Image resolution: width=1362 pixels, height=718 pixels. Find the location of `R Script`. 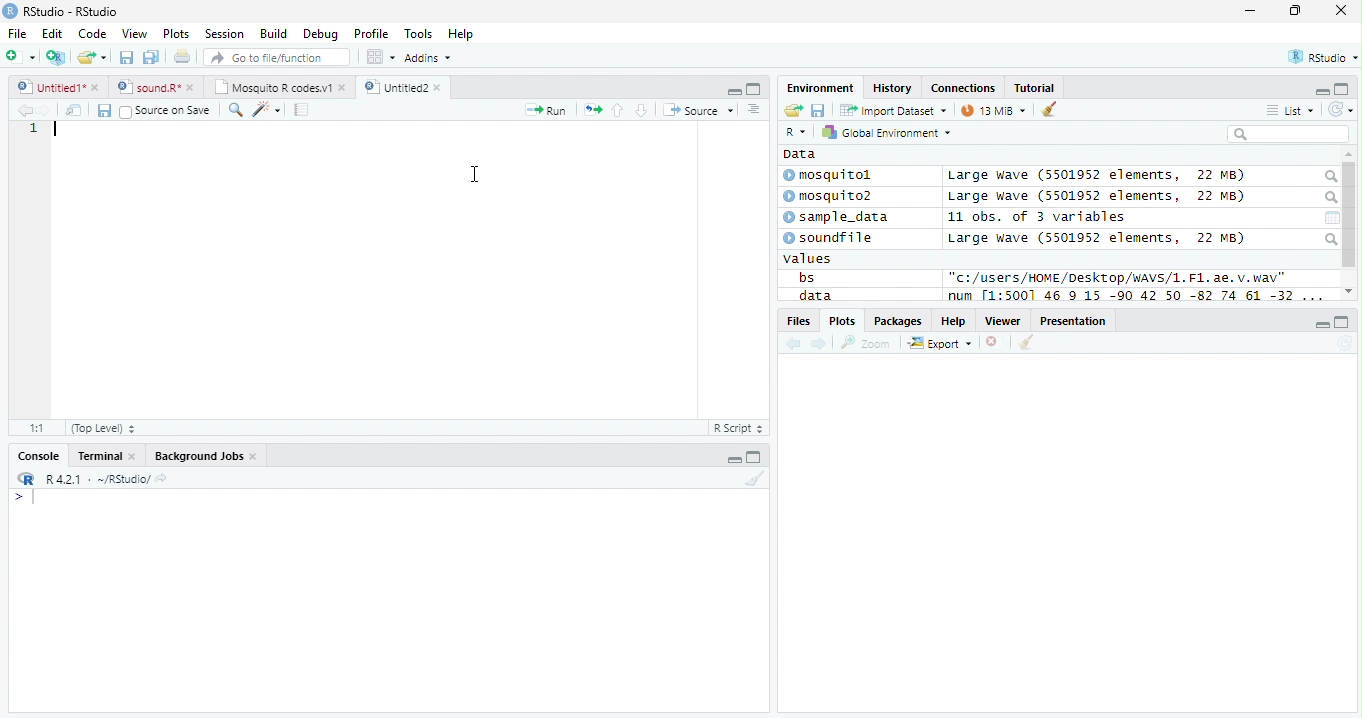

R Script is located at coordinates (739, 427).